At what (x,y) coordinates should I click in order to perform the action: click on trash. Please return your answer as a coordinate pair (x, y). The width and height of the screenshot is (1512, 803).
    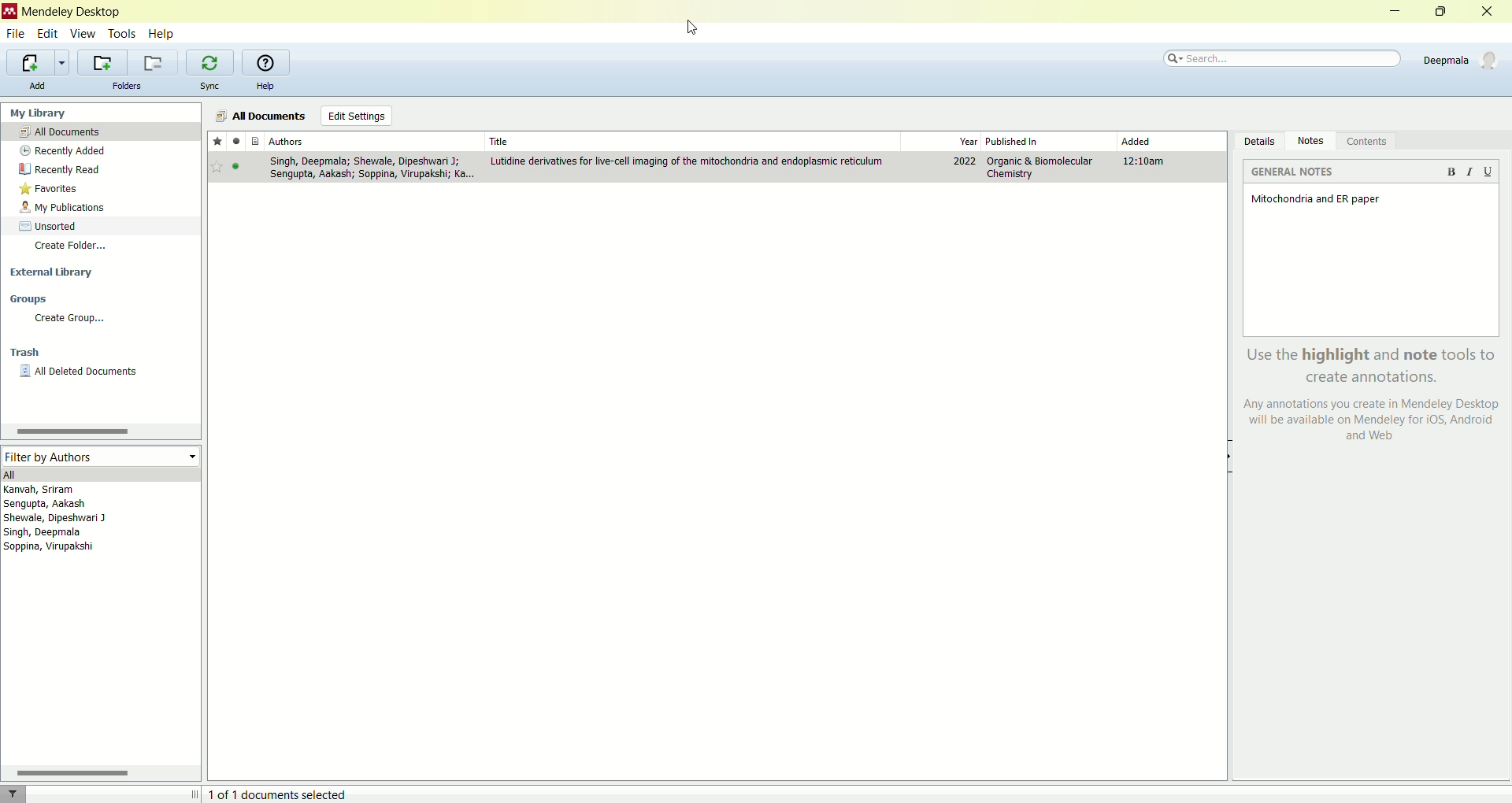
    Looking at the image, I should click on (101, 352).